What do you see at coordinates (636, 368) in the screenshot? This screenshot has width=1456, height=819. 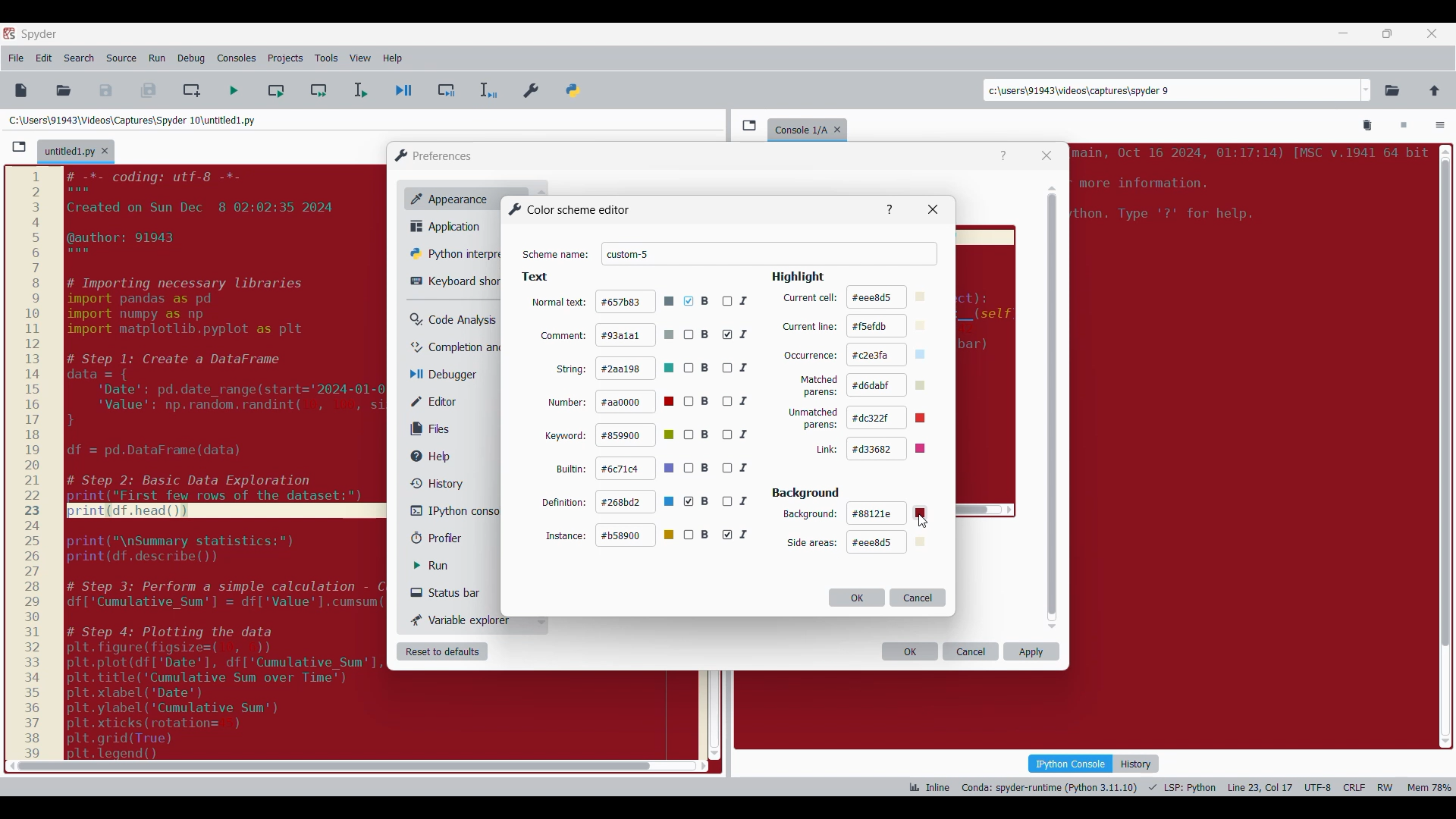 I see `#2aa198` at bounding box center [636, 368].